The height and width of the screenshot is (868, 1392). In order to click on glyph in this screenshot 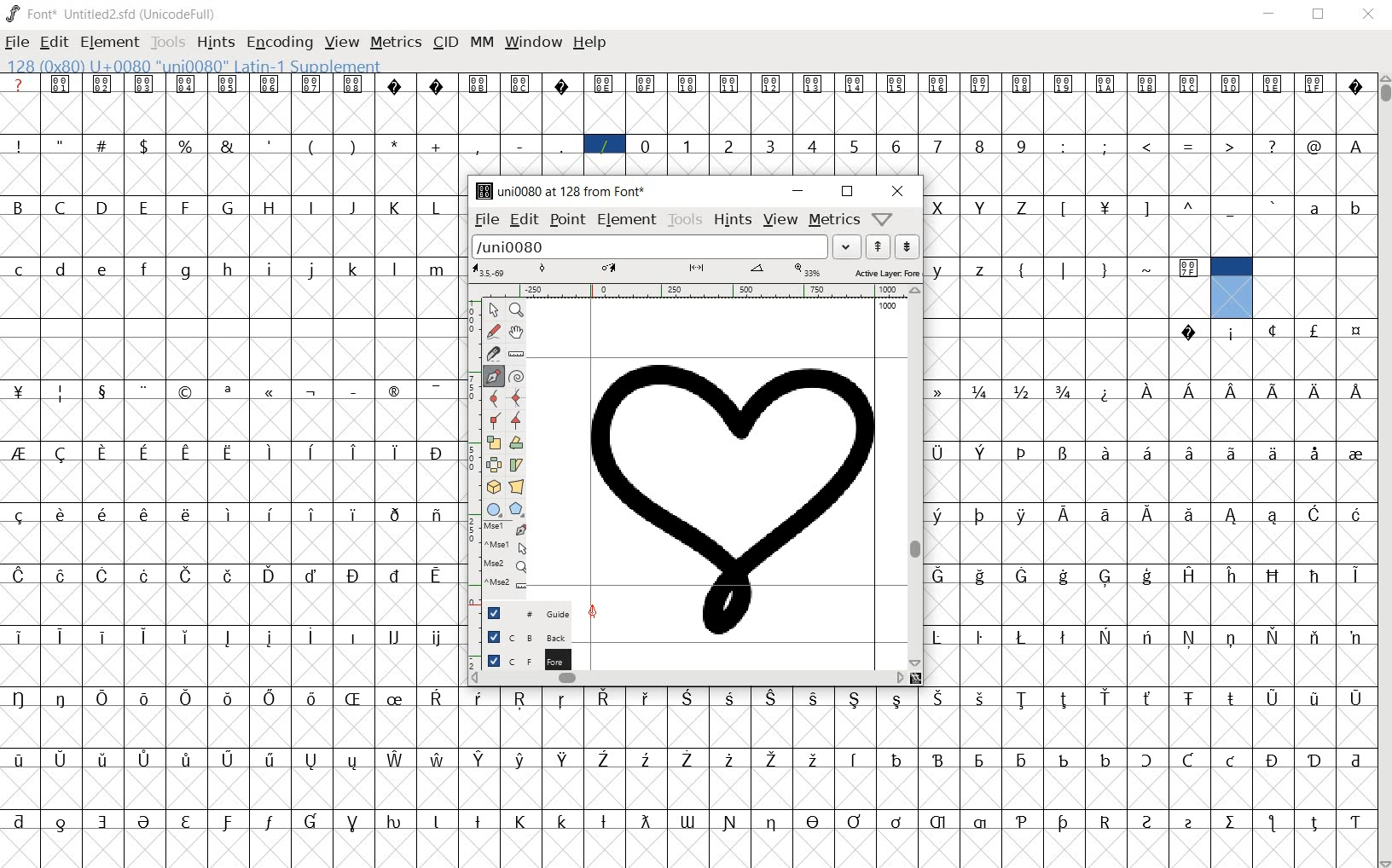, I will do `click(394, 515)`.